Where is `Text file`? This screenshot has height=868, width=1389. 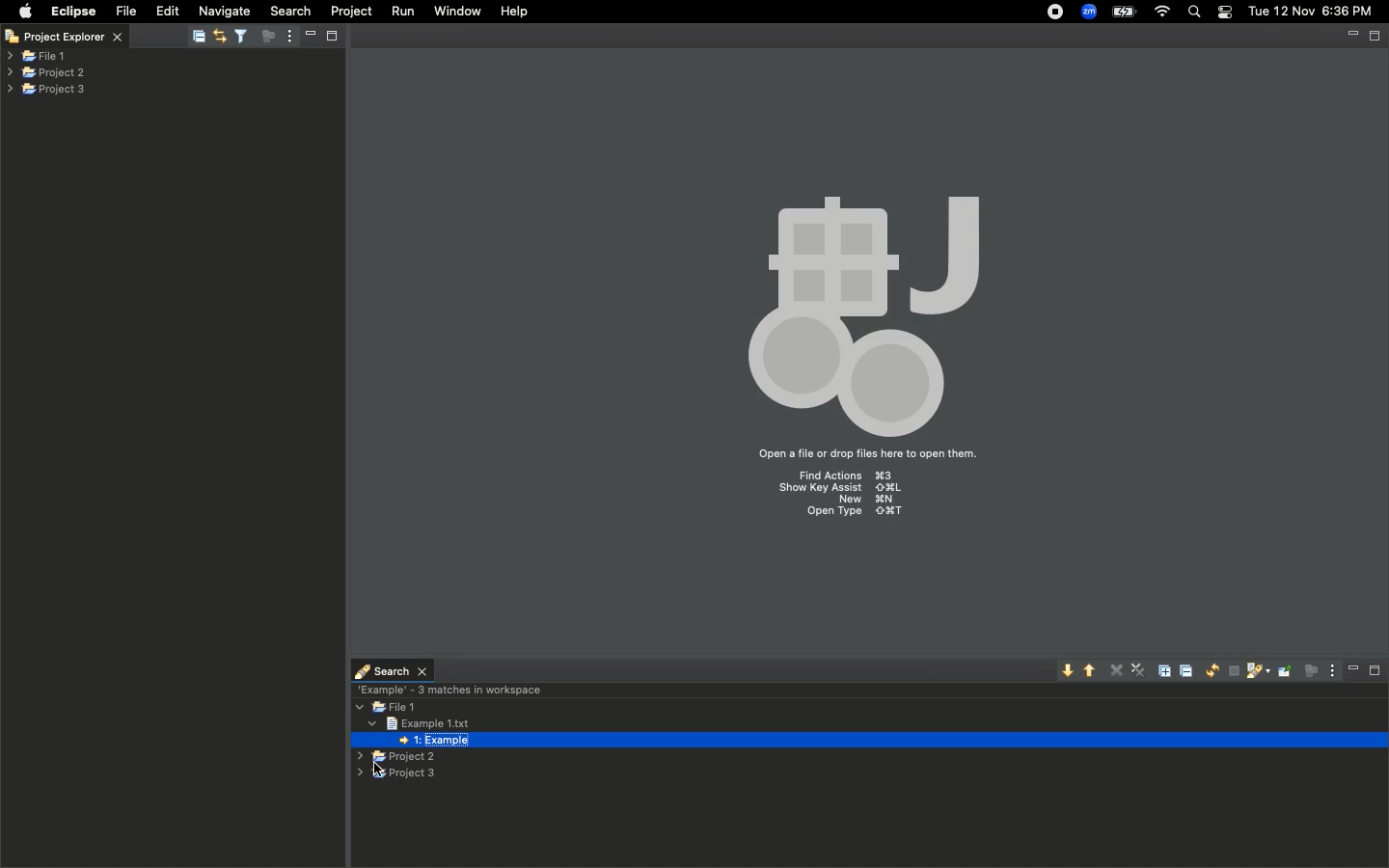
Text file is located at coordinates (414, 722).